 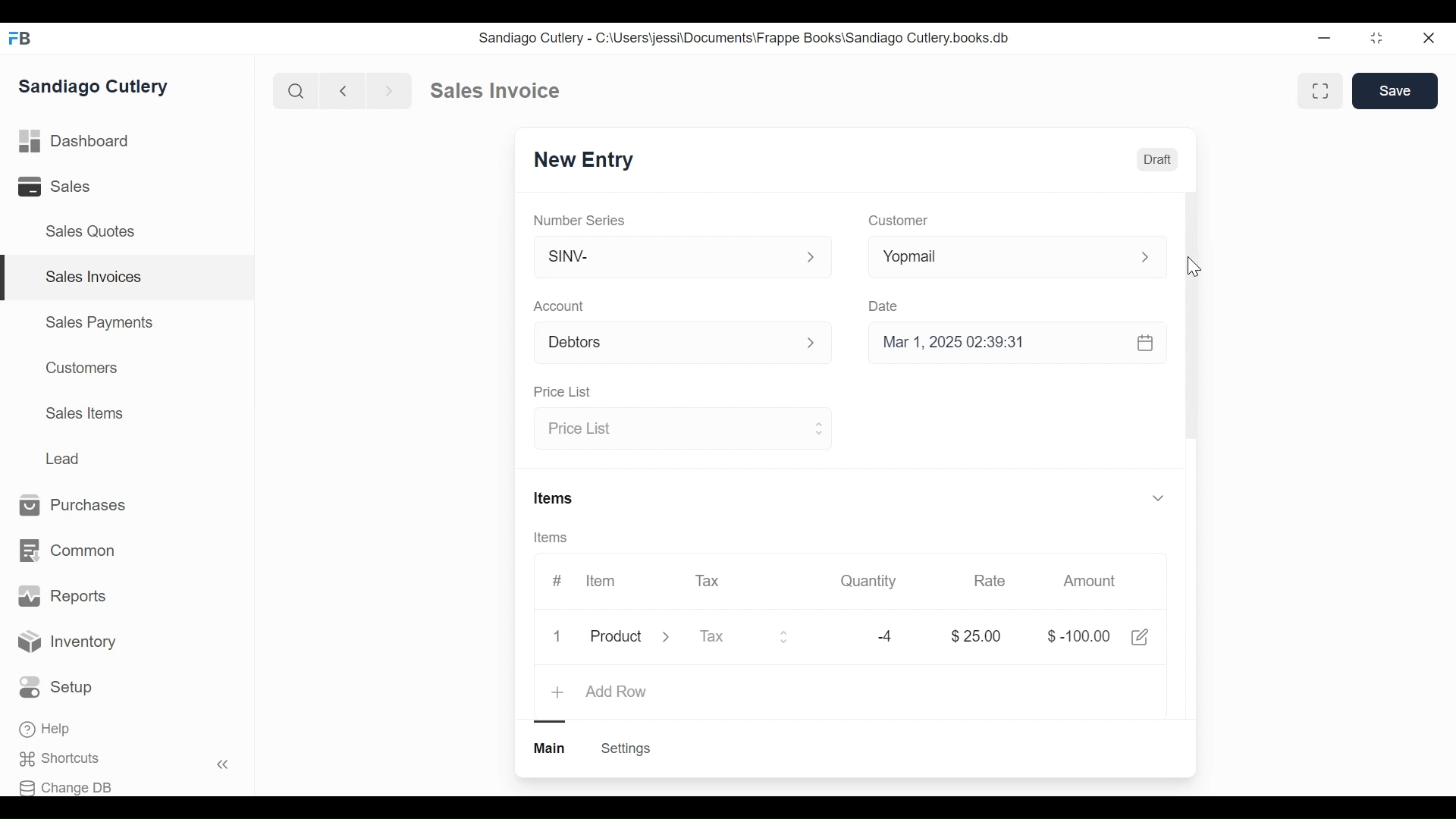 I want to click on Sales invoice, so click(x=494, y=91).